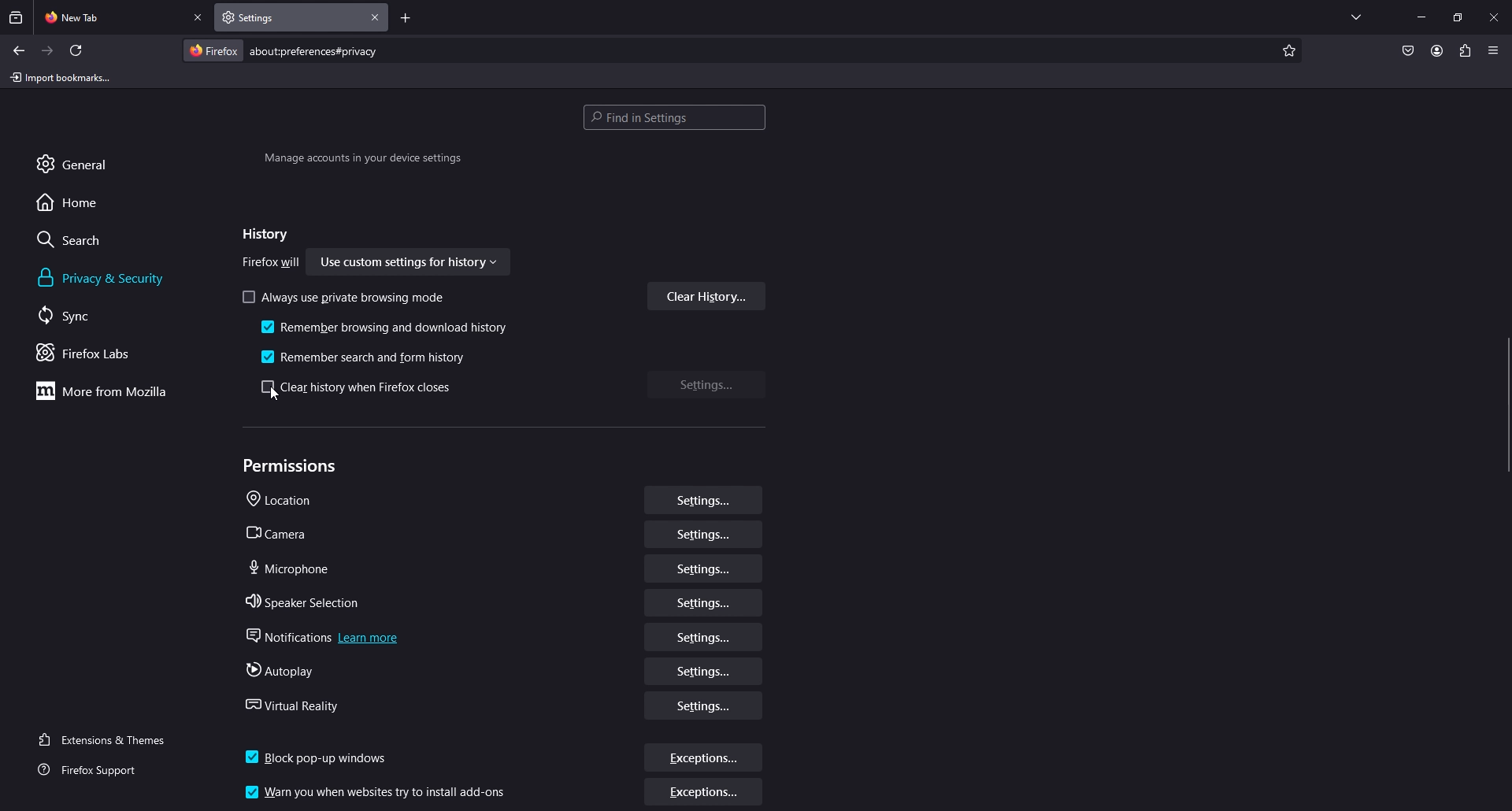  What do you see at coordinates (312, 50) in the screenshot?
I see `search bar: about preferences#privacy` at bounding box center [312, 50].